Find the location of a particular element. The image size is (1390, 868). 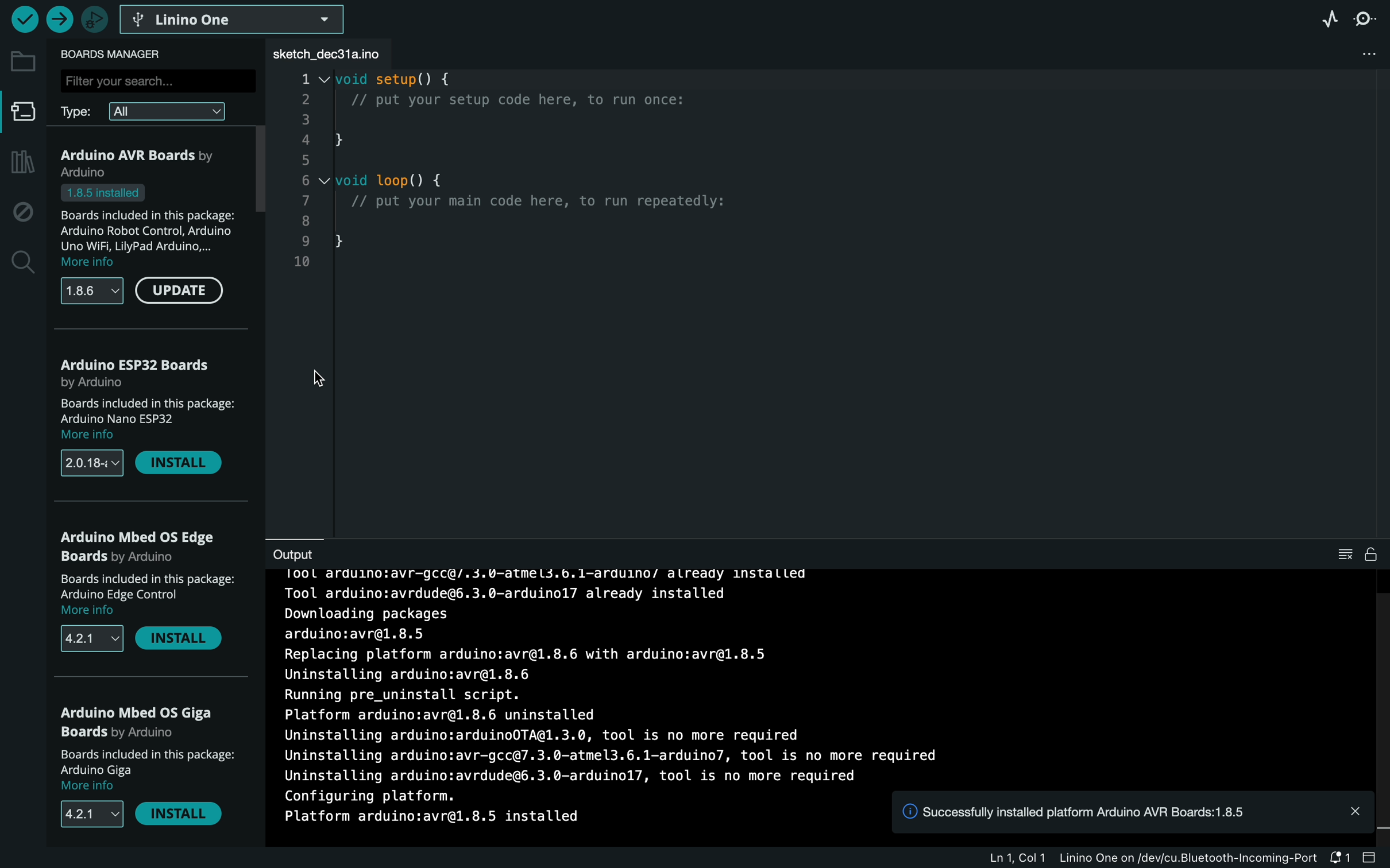

cursor is located at coordinates (320, 379).